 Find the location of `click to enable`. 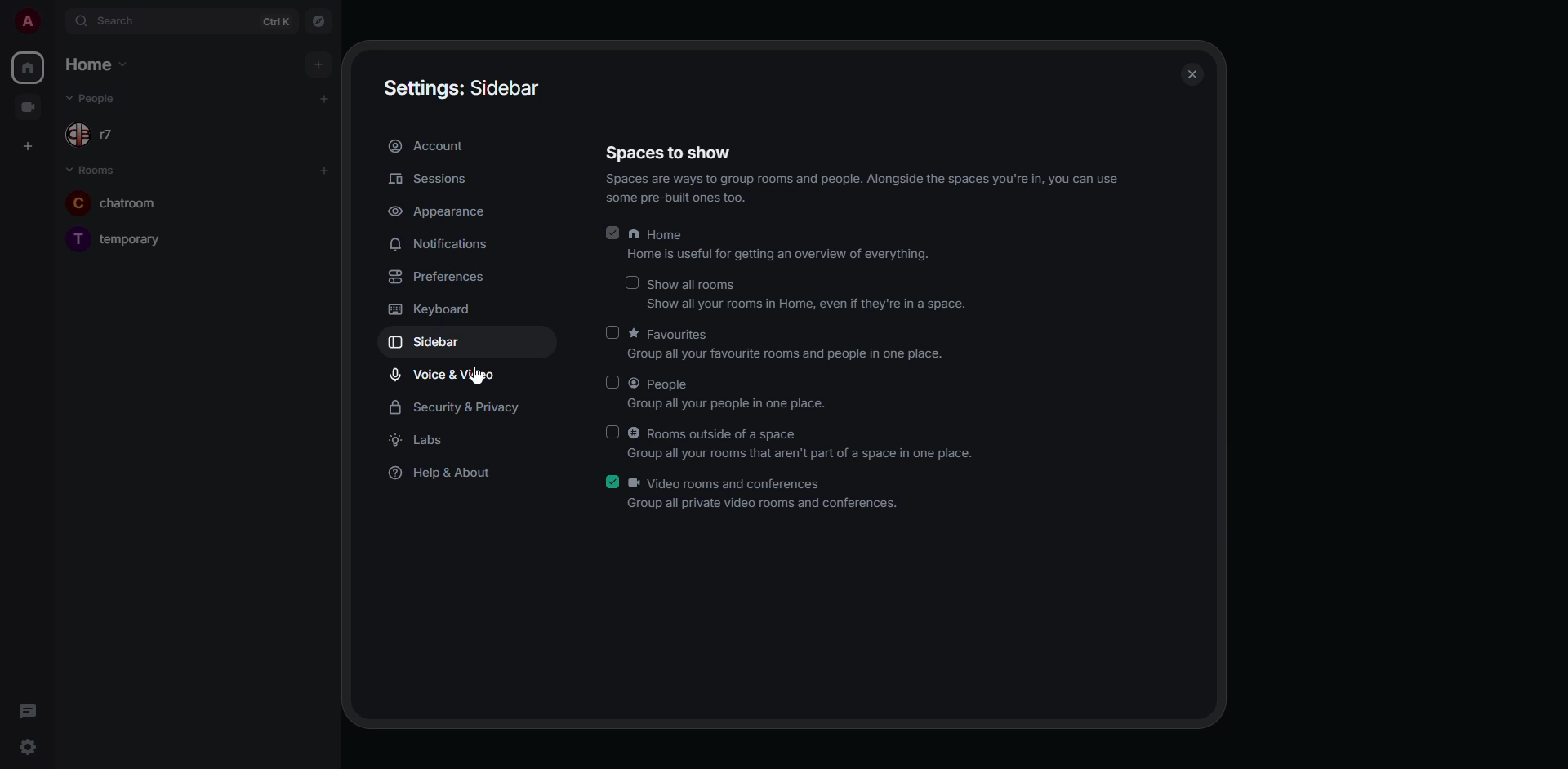

click to enable is located at coordinates (612, 433).